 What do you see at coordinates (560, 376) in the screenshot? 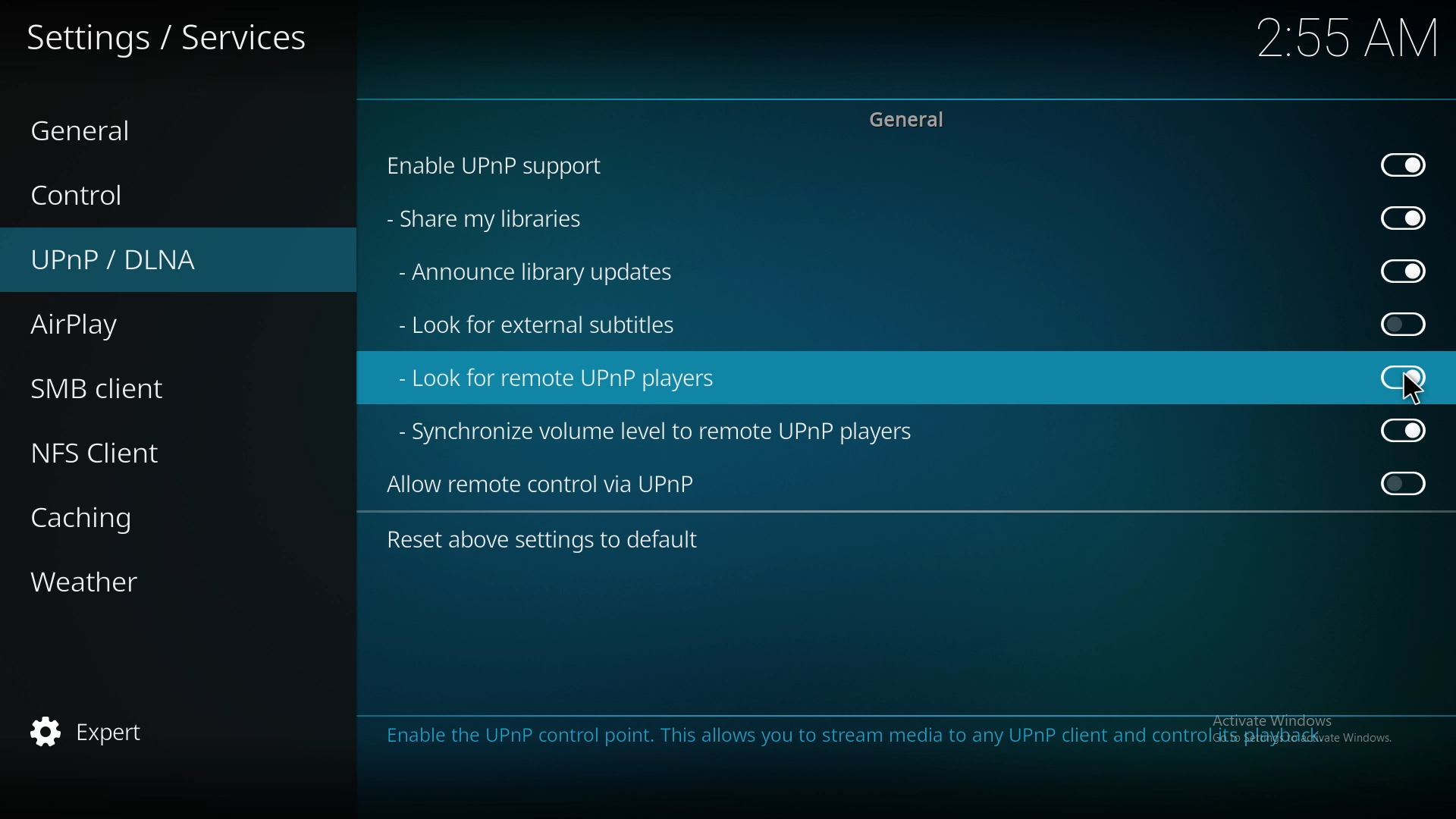
I see `look for remote upnp players` at bounding box center [560, 376].